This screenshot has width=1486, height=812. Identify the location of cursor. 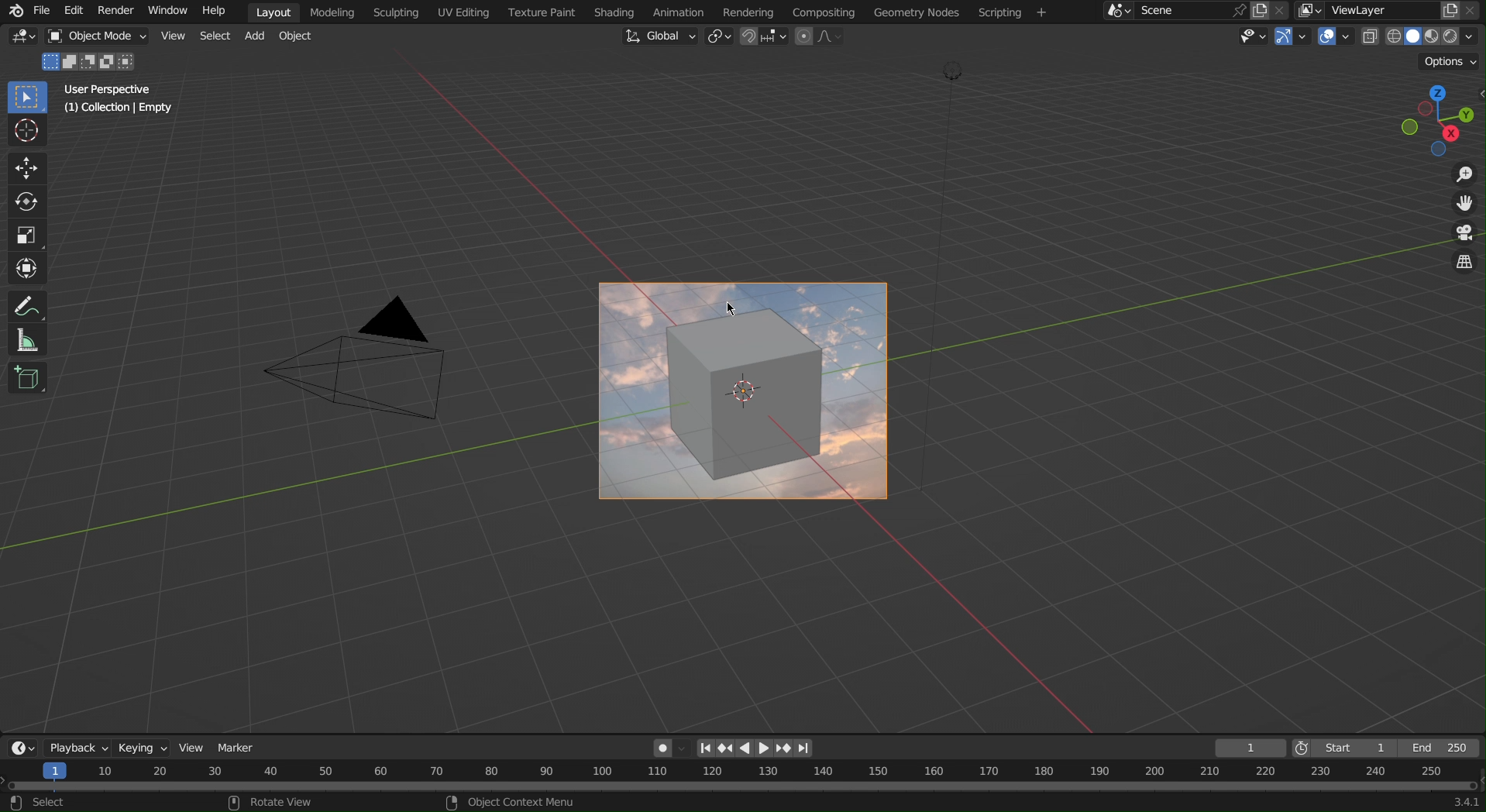
(721, 311).